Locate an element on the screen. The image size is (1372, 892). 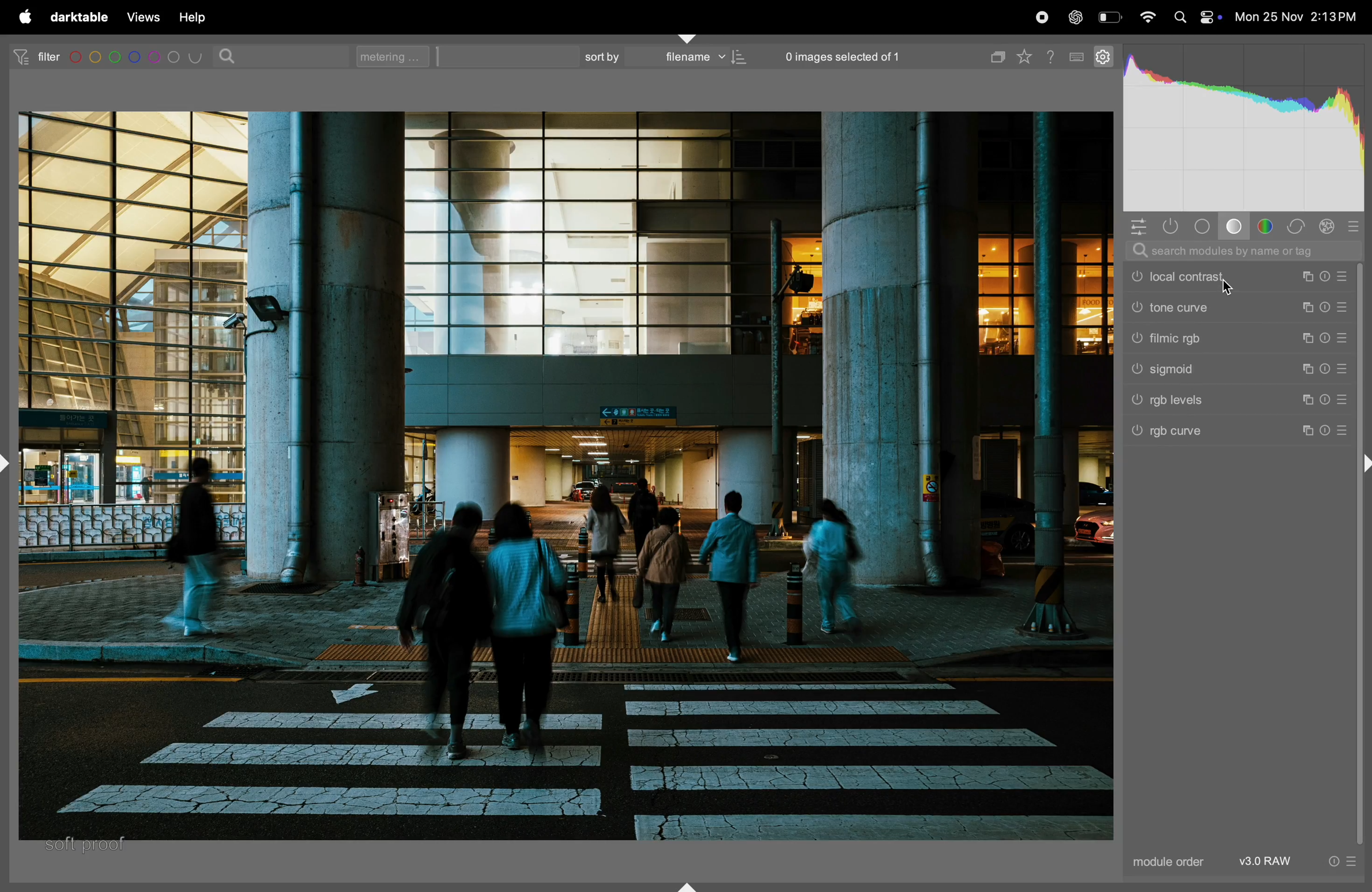
views is located at coordinates (141, 17).